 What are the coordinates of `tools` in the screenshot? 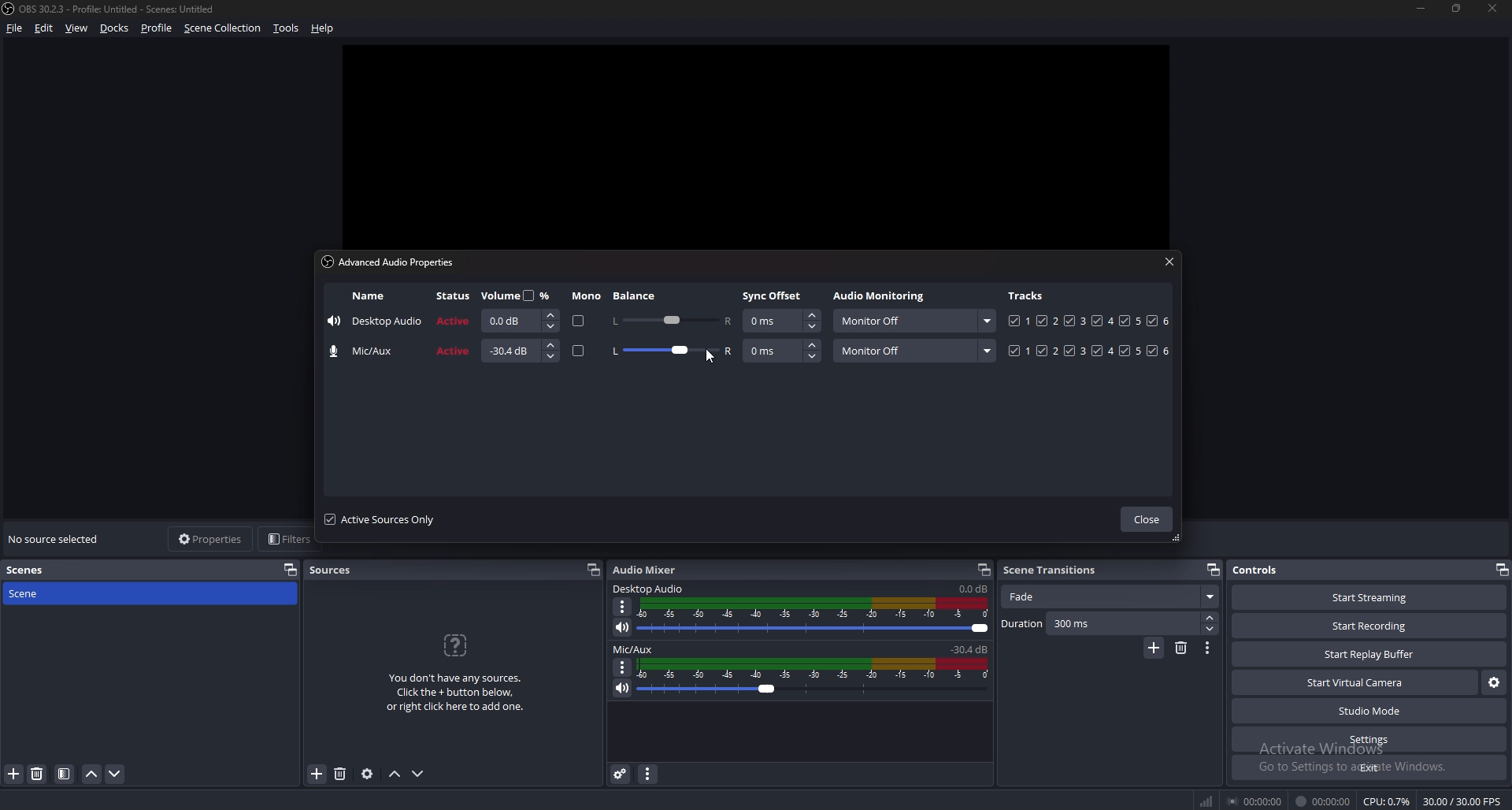 It's located at (287, 28).